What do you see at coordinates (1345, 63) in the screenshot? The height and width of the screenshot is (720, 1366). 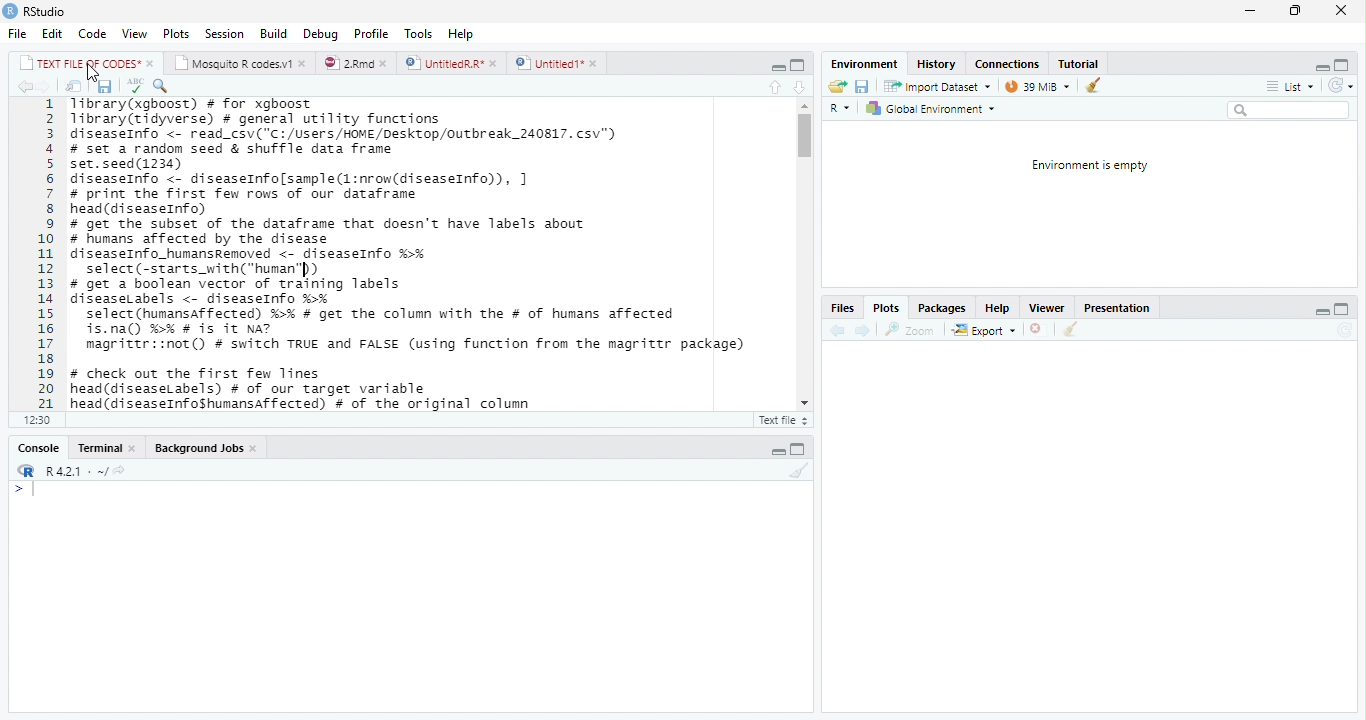 I see `Maximize` at bounding box center [1345, 63].